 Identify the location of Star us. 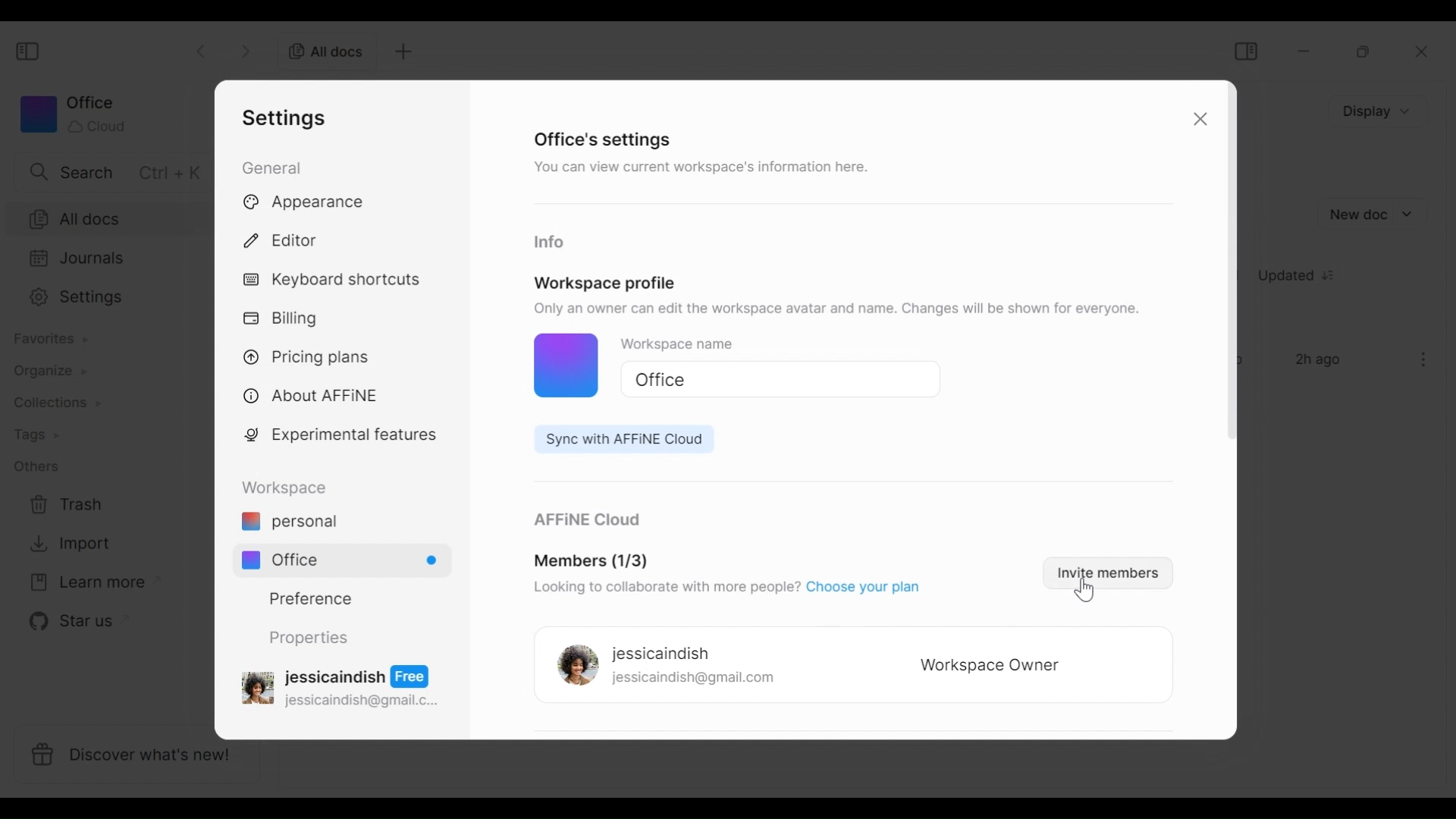
(69, 621).